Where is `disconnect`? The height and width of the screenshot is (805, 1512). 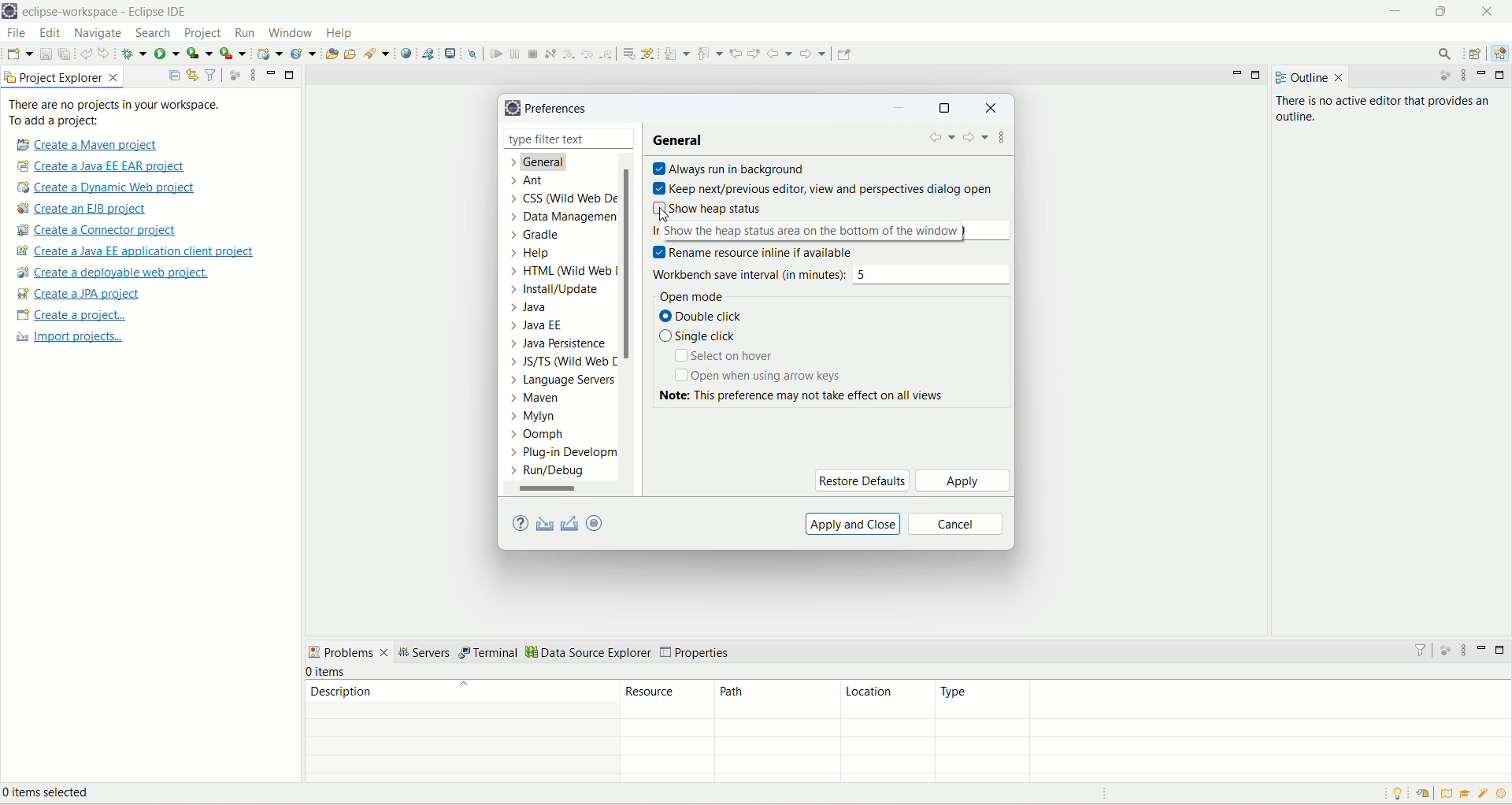 disconnect is located at coordinates (550, 53).